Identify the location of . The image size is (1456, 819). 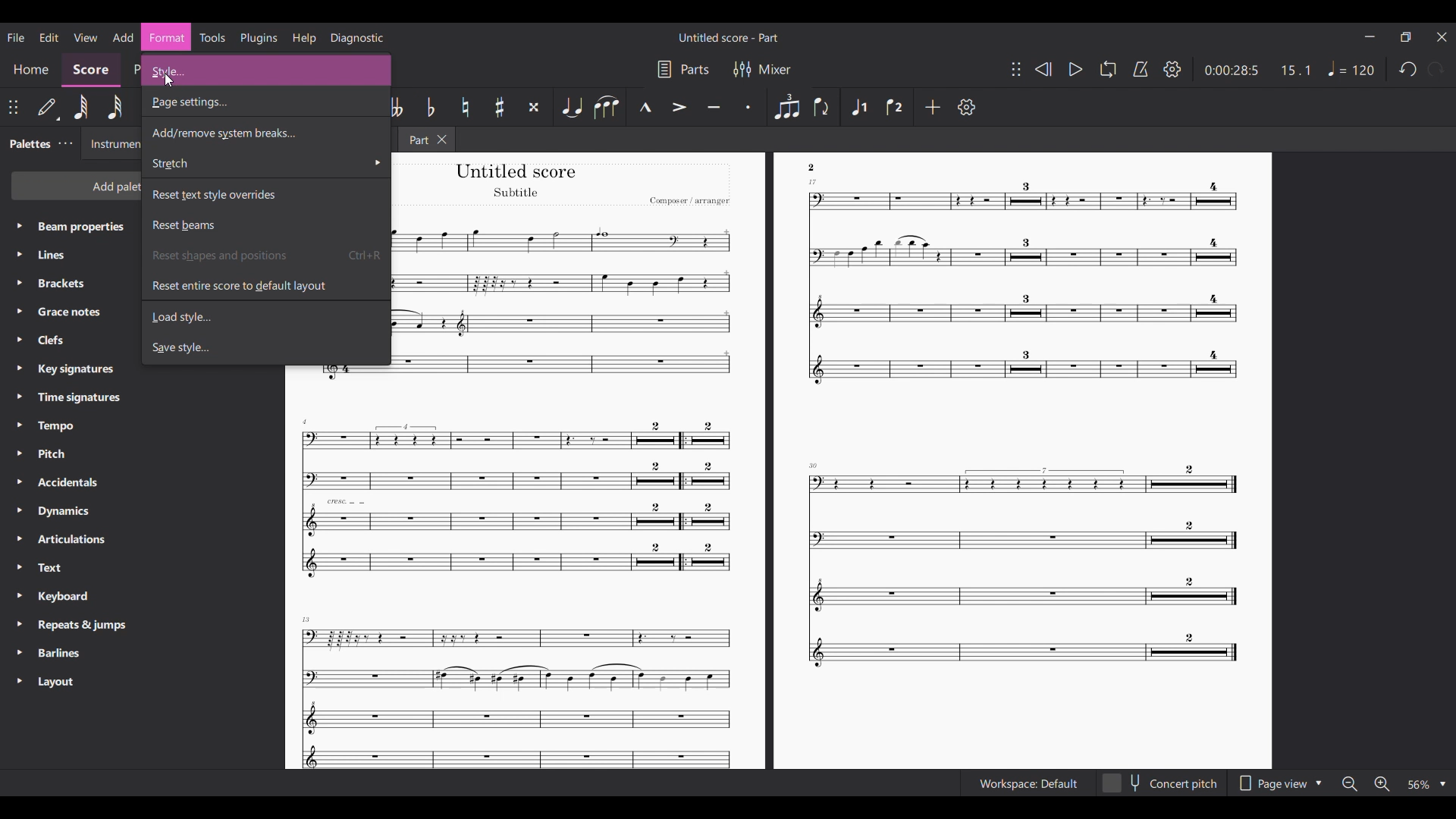
(566, 303).